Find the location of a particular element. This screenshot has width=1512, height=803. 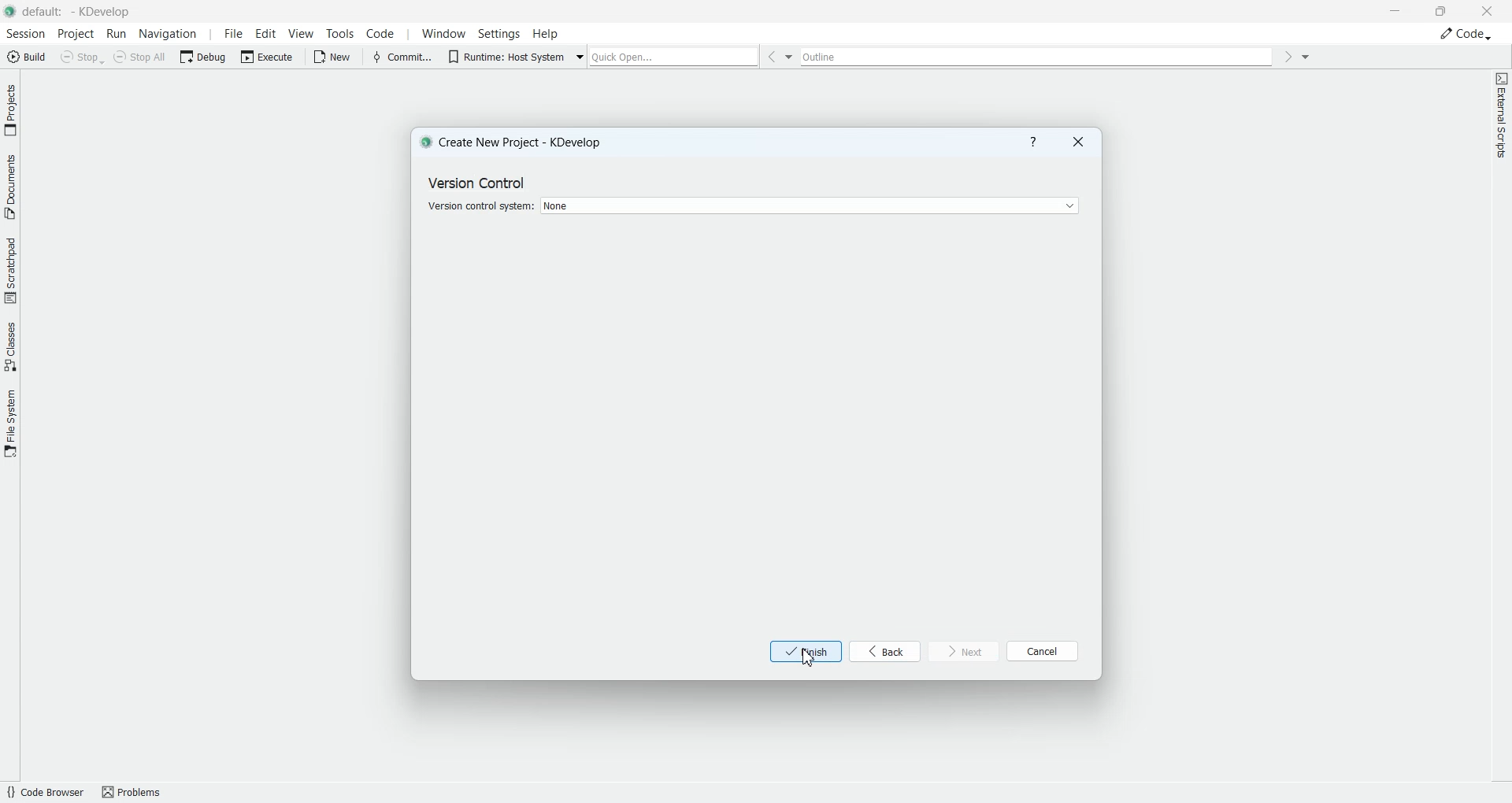

Create New Project is located at coordinates (516, 142).